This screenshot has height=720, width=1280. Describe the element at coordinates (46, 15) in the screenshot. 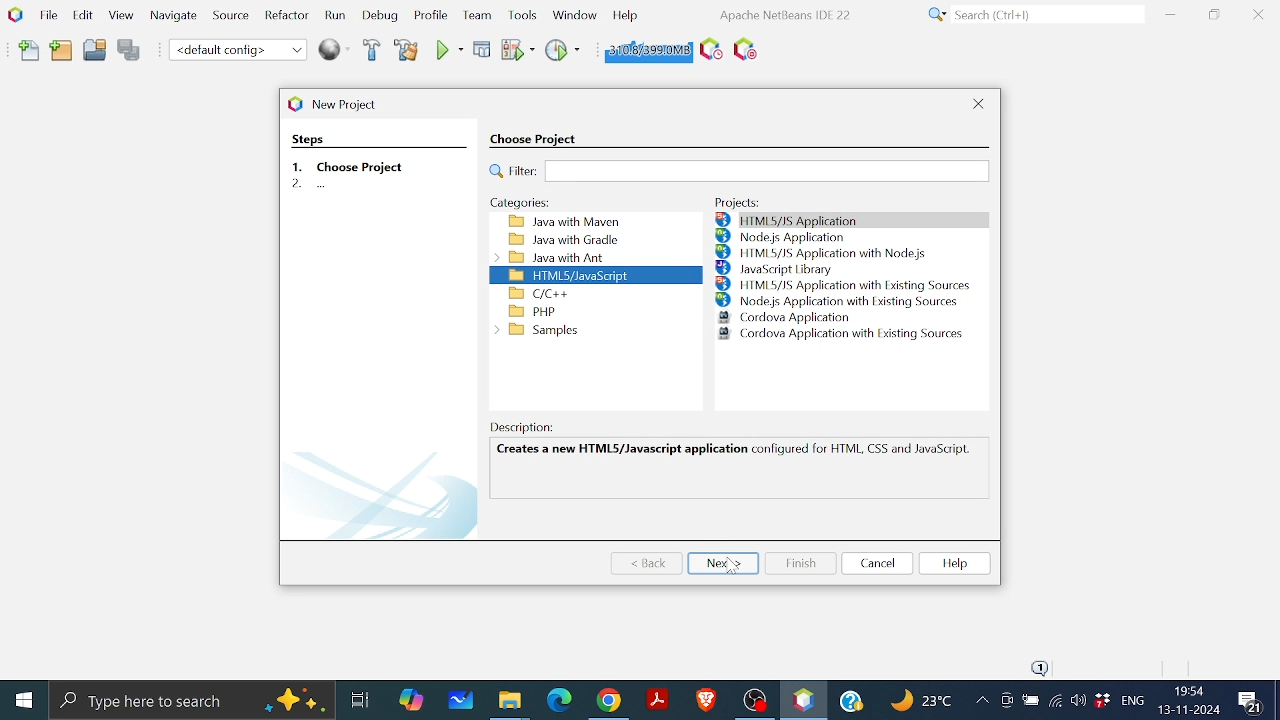

I see `File` at that location.